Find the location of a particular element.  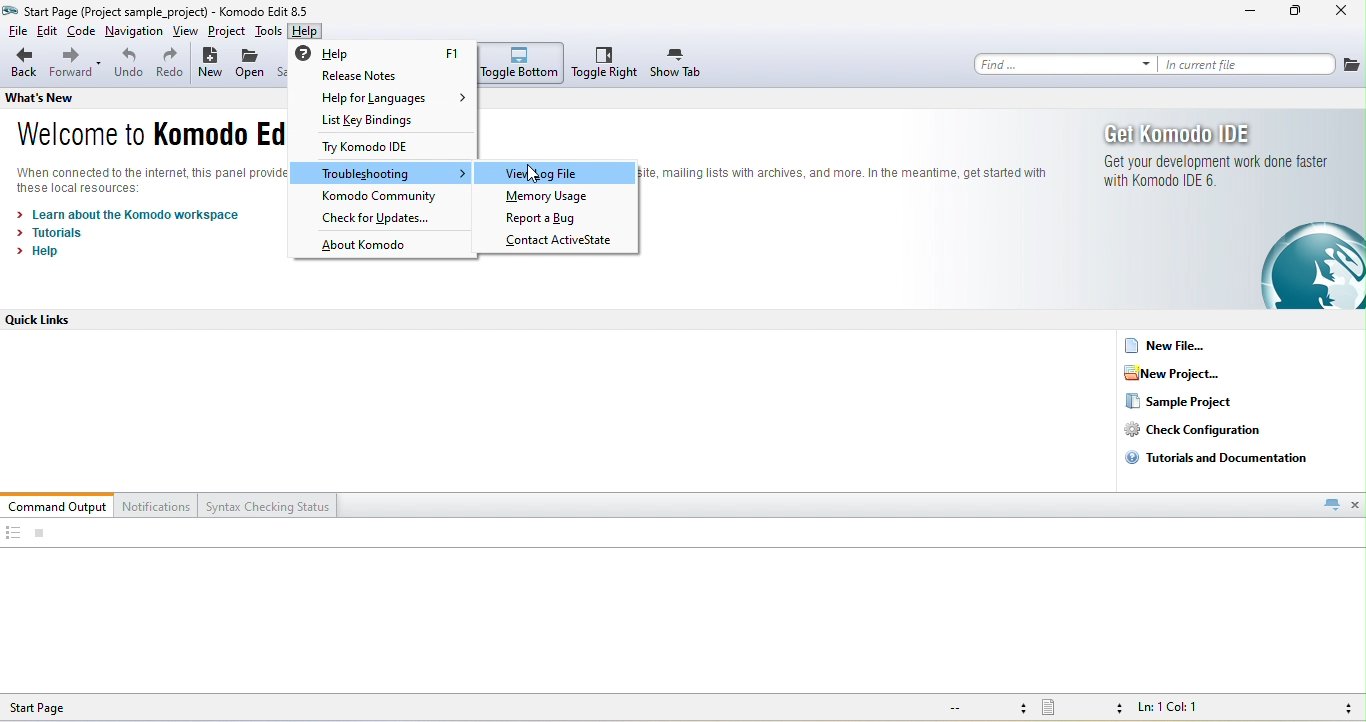

close is located at coordinates (1343, 13).